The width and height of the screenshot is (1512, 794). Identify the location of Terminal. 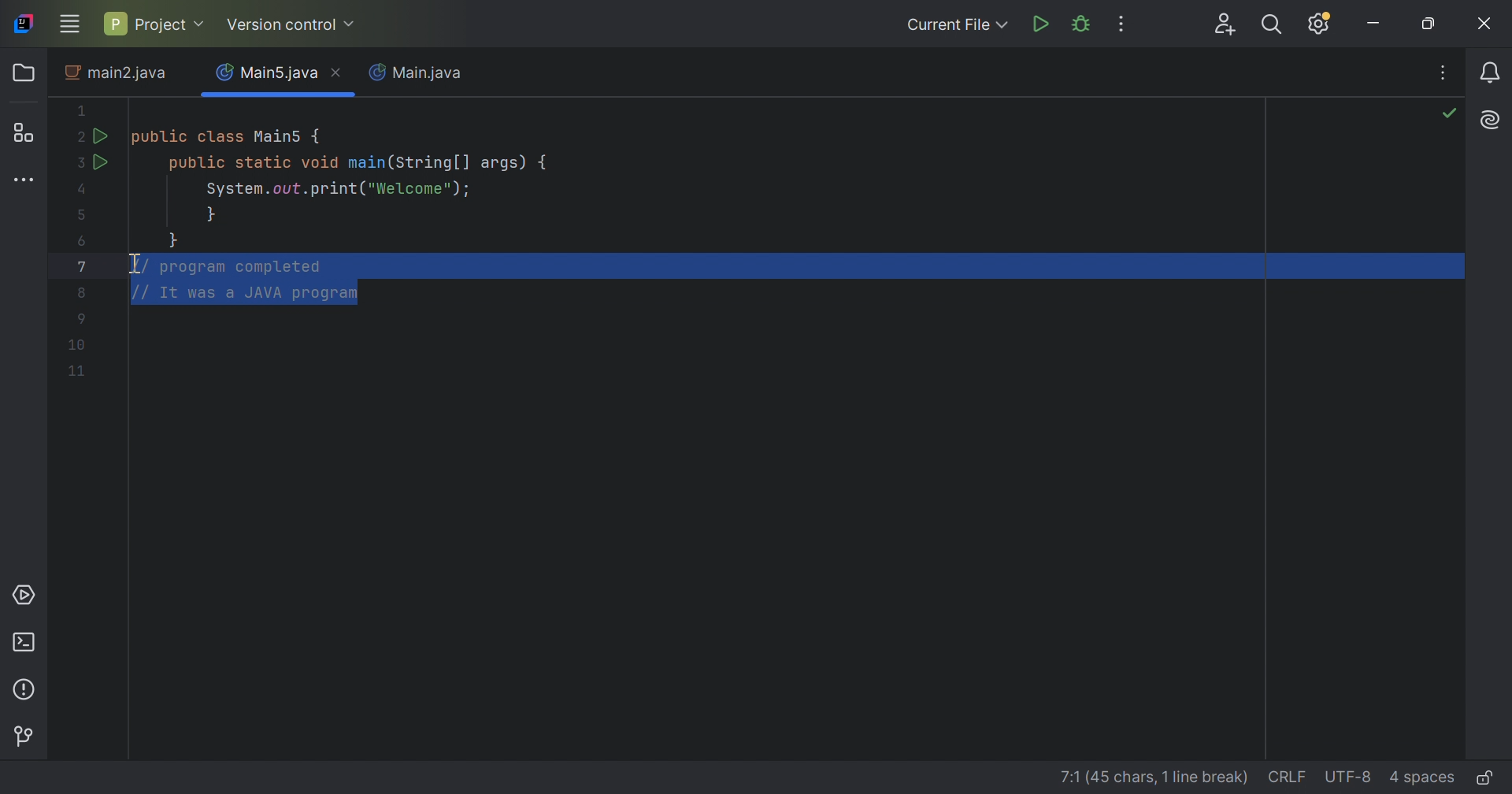
(27, 642).